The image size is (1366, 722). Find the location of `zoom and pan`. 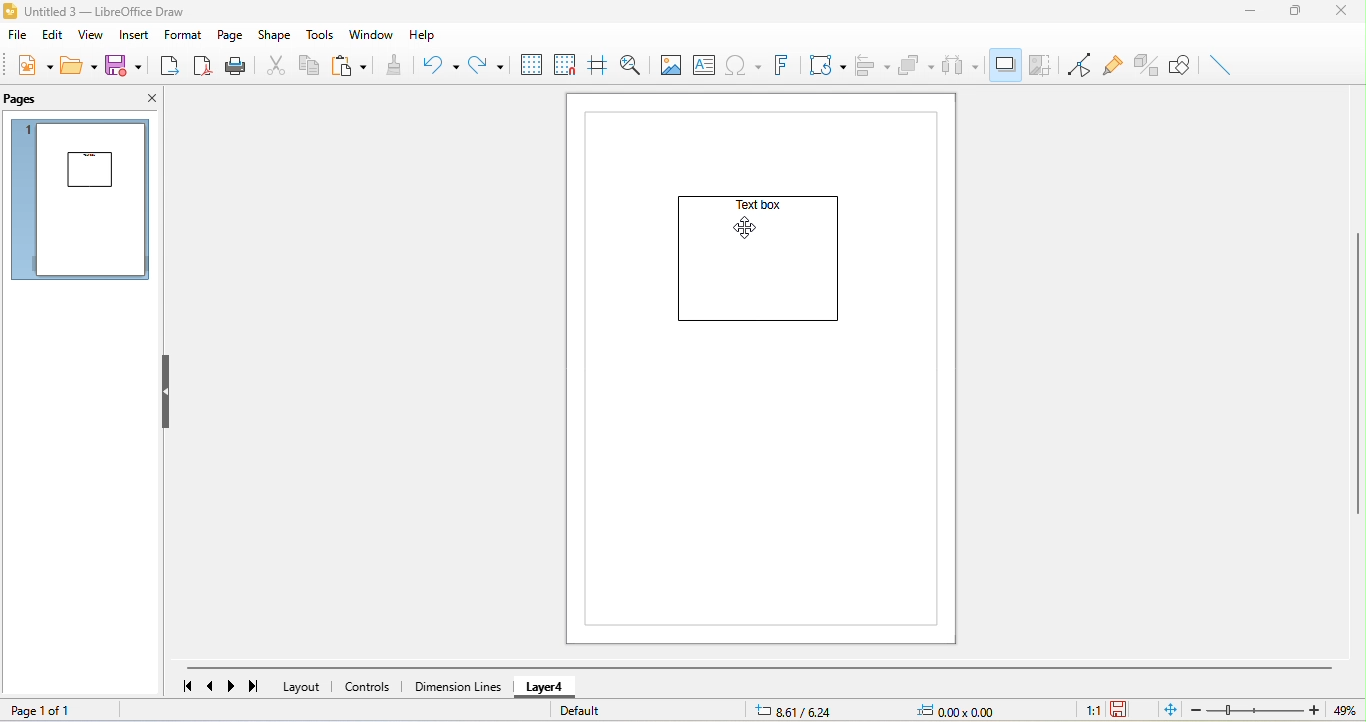

zoom and pan is located at coordinates (631, 64).